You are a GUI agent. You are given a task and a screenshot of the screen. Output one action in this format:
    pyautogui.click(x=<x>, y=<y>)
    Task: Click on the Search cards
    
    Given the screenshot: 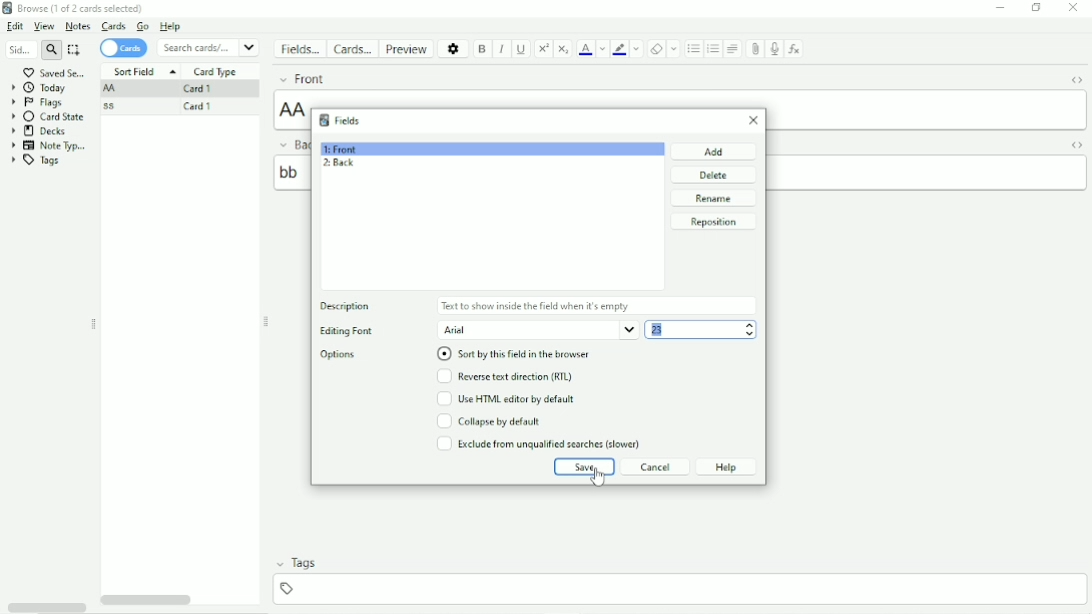 What is the action you would take?
    pyautogui.click(x=209, y=47)
    